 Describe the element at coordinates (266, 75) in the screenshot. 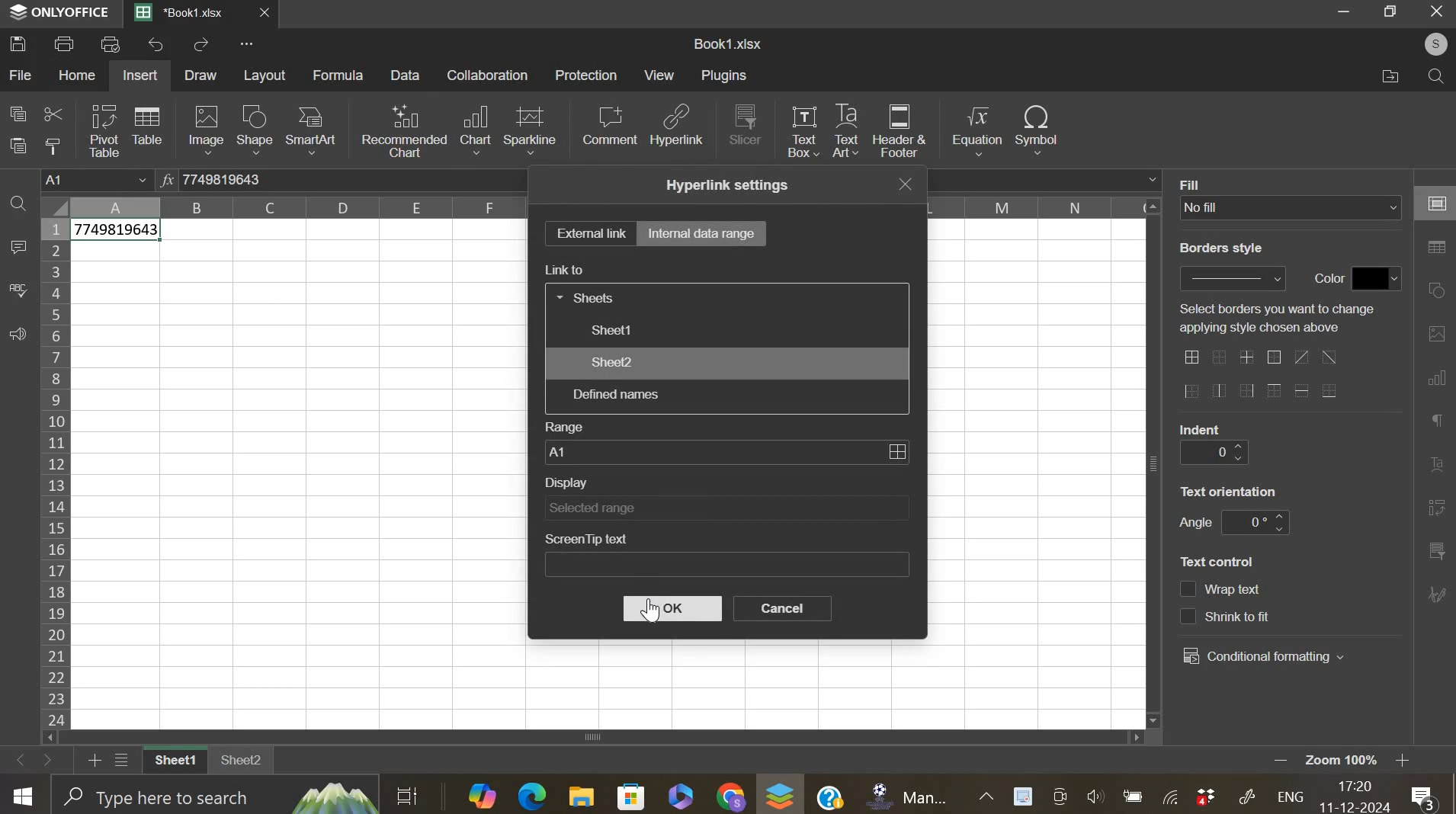

I see `layout` at that location.